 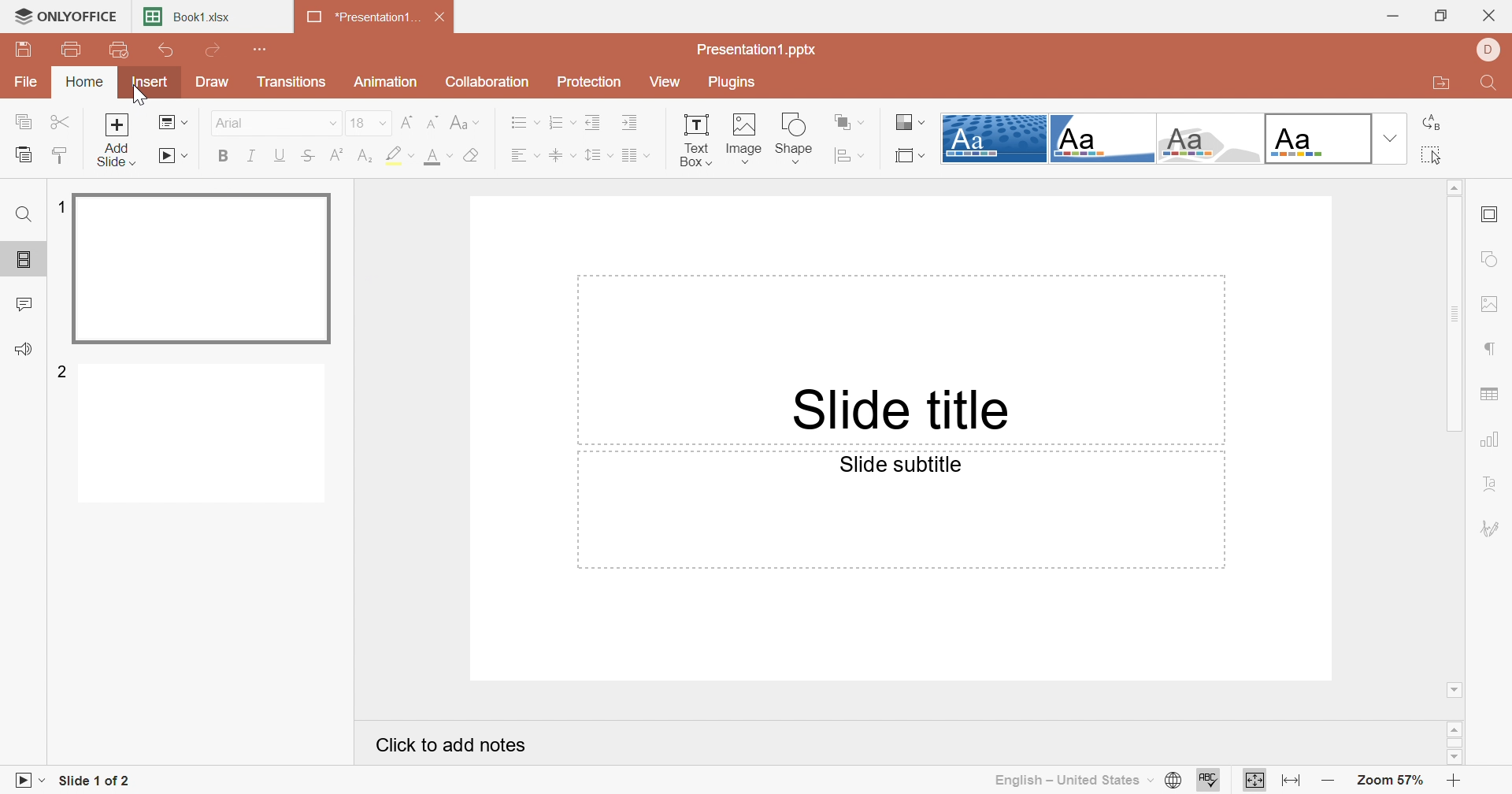 What do you see at coordinates (1458, 727) in the screenshot?
I see `Scroll Up` at bounding box center [1458, 727].